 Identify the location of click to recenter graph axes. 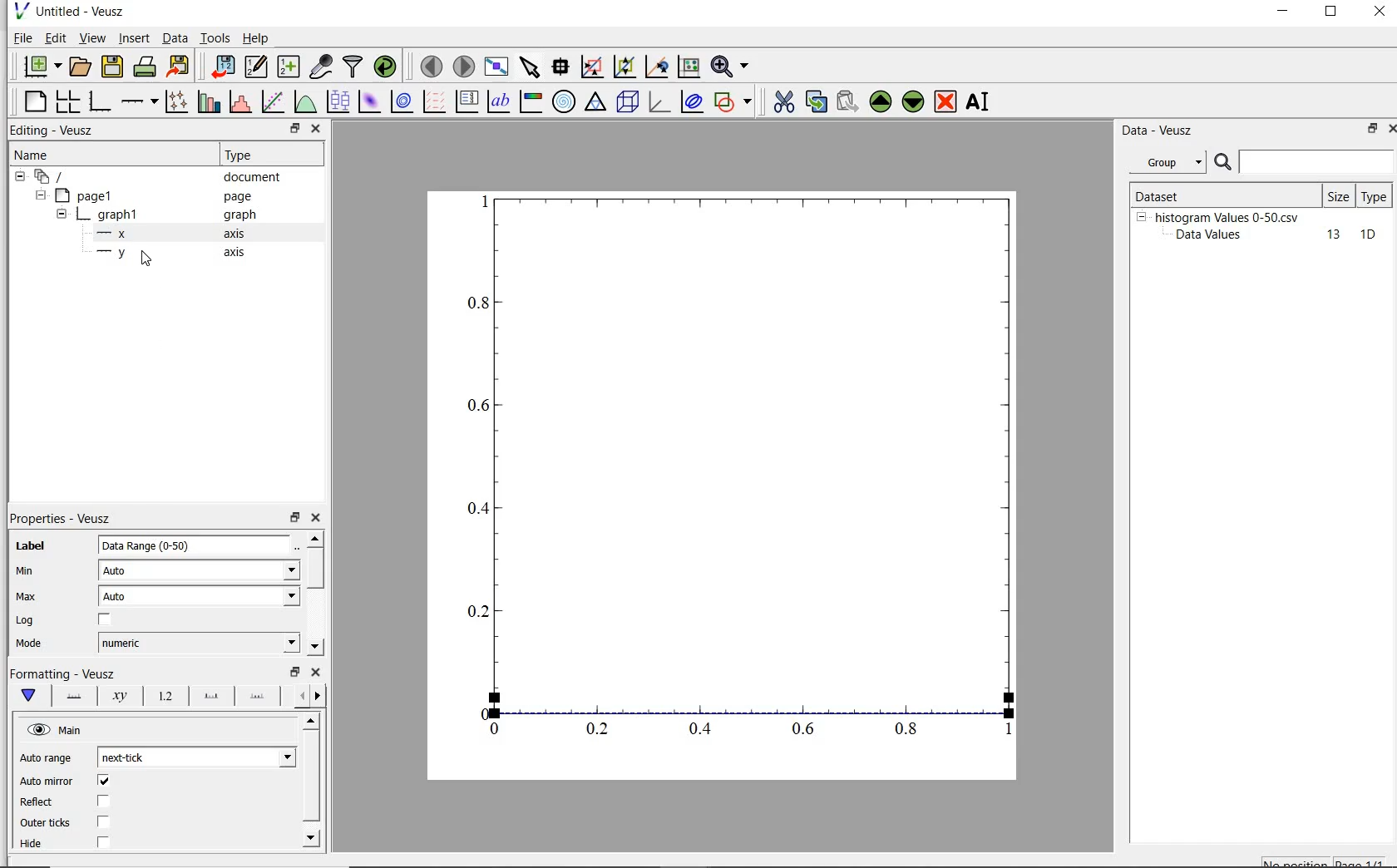
(688, 67).